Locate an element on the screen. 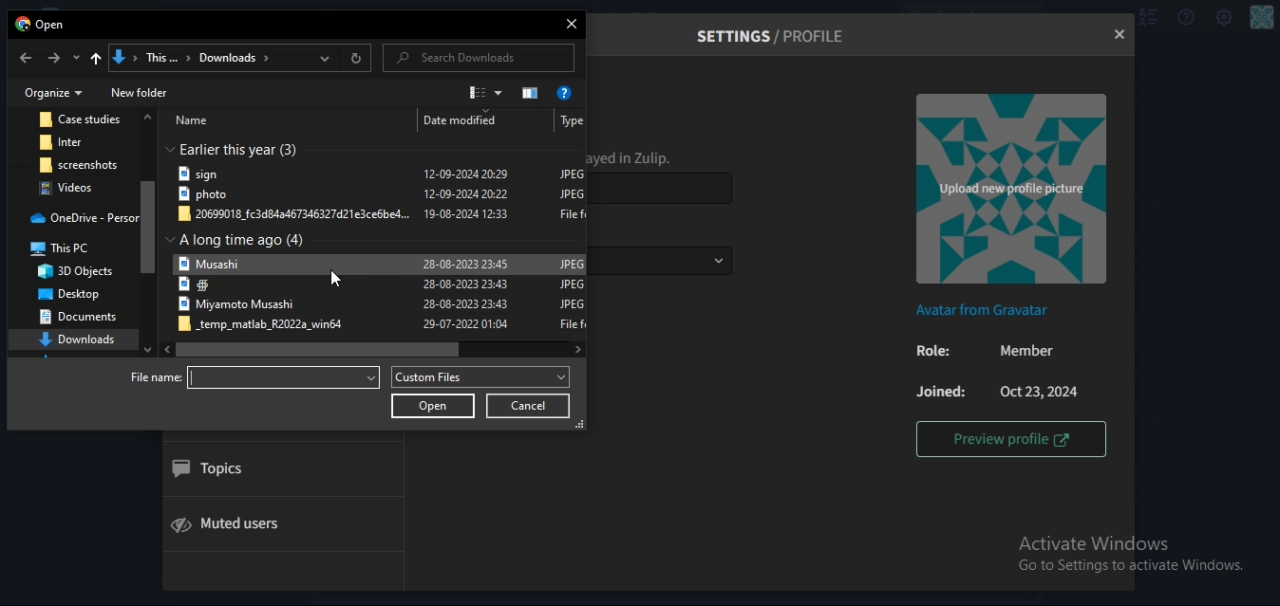 Image resolution: width=1280 pixels, height=606 pixels. file is located at coordinates (382, 196).